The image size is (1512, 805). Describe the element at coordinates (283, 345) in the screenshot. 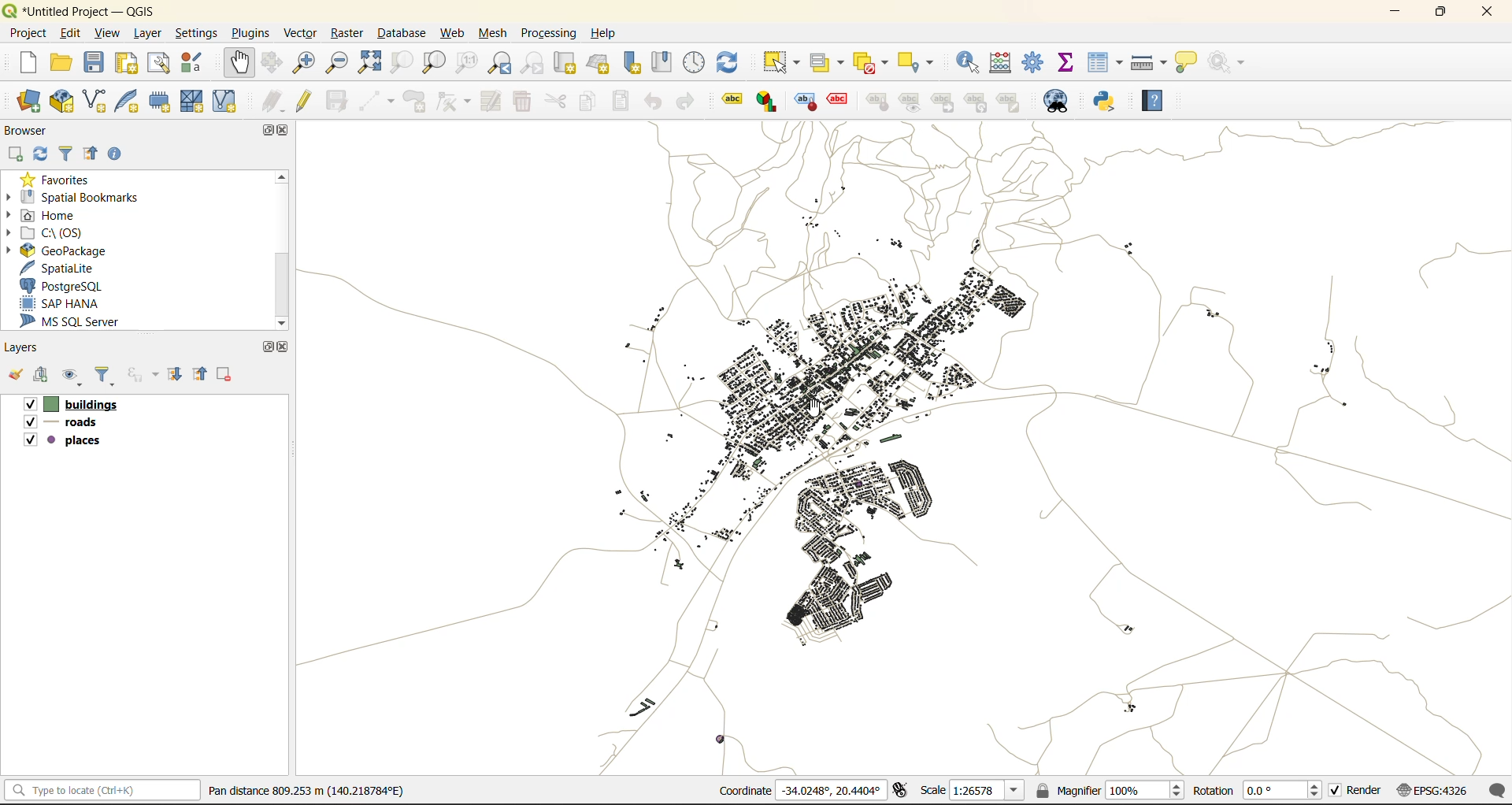

I see `close` at that location.